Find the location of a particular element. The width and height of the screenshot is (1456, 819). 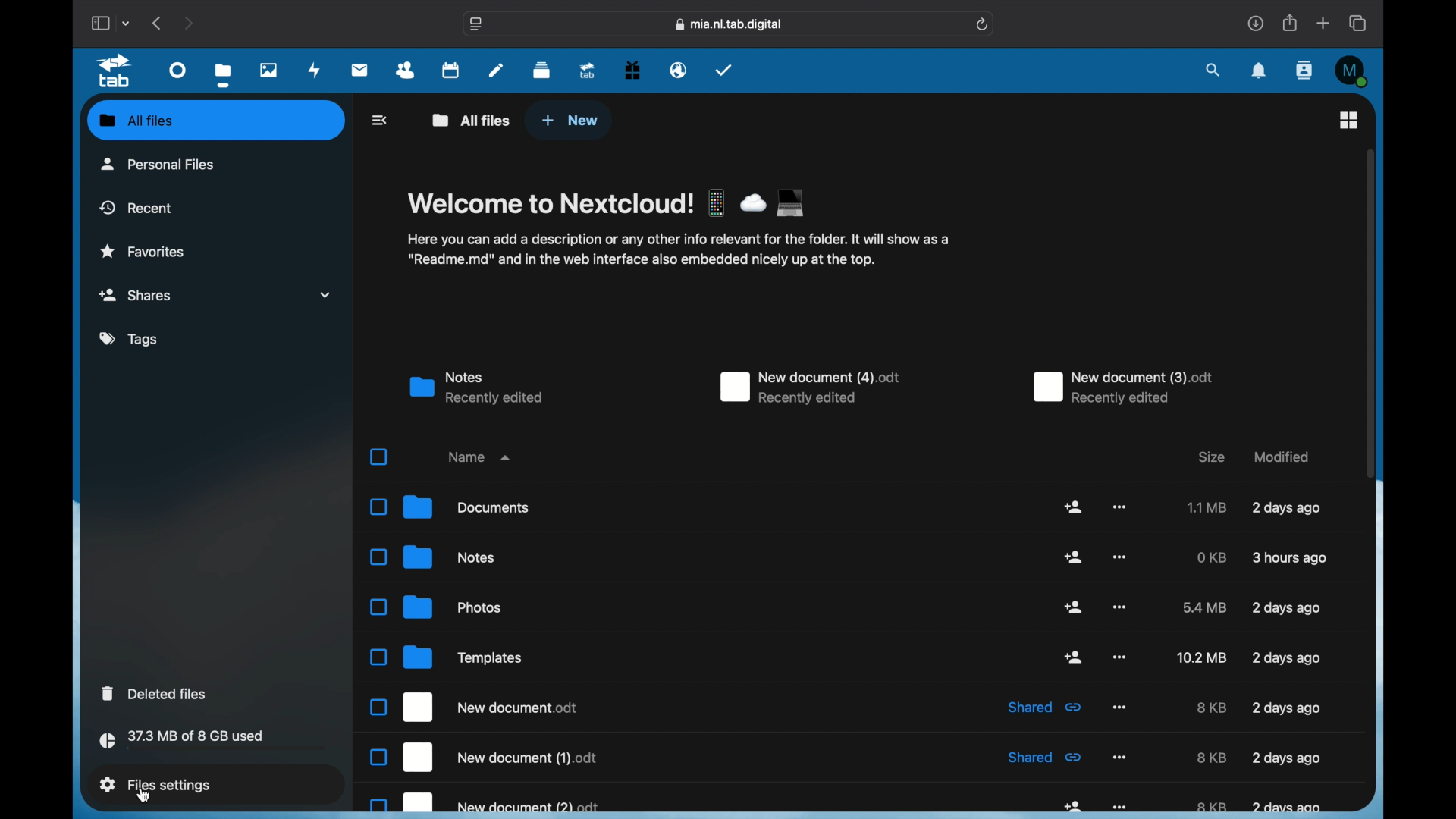

dashboard is located at coordinates (177, 71).